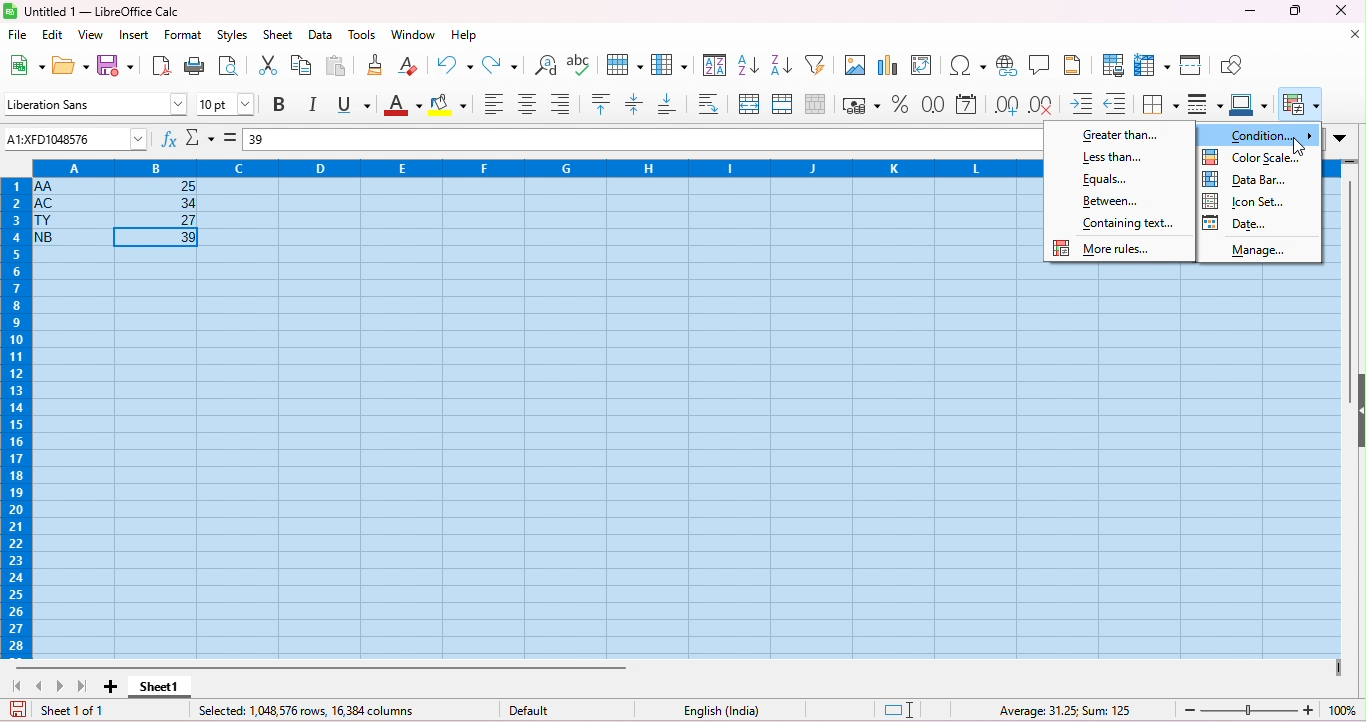 The width and height of the screenshot is (1366, 722). What do you see at coordinates (715, 65) in the screenshot?
I see `sort` at bounding box center [715, 65].